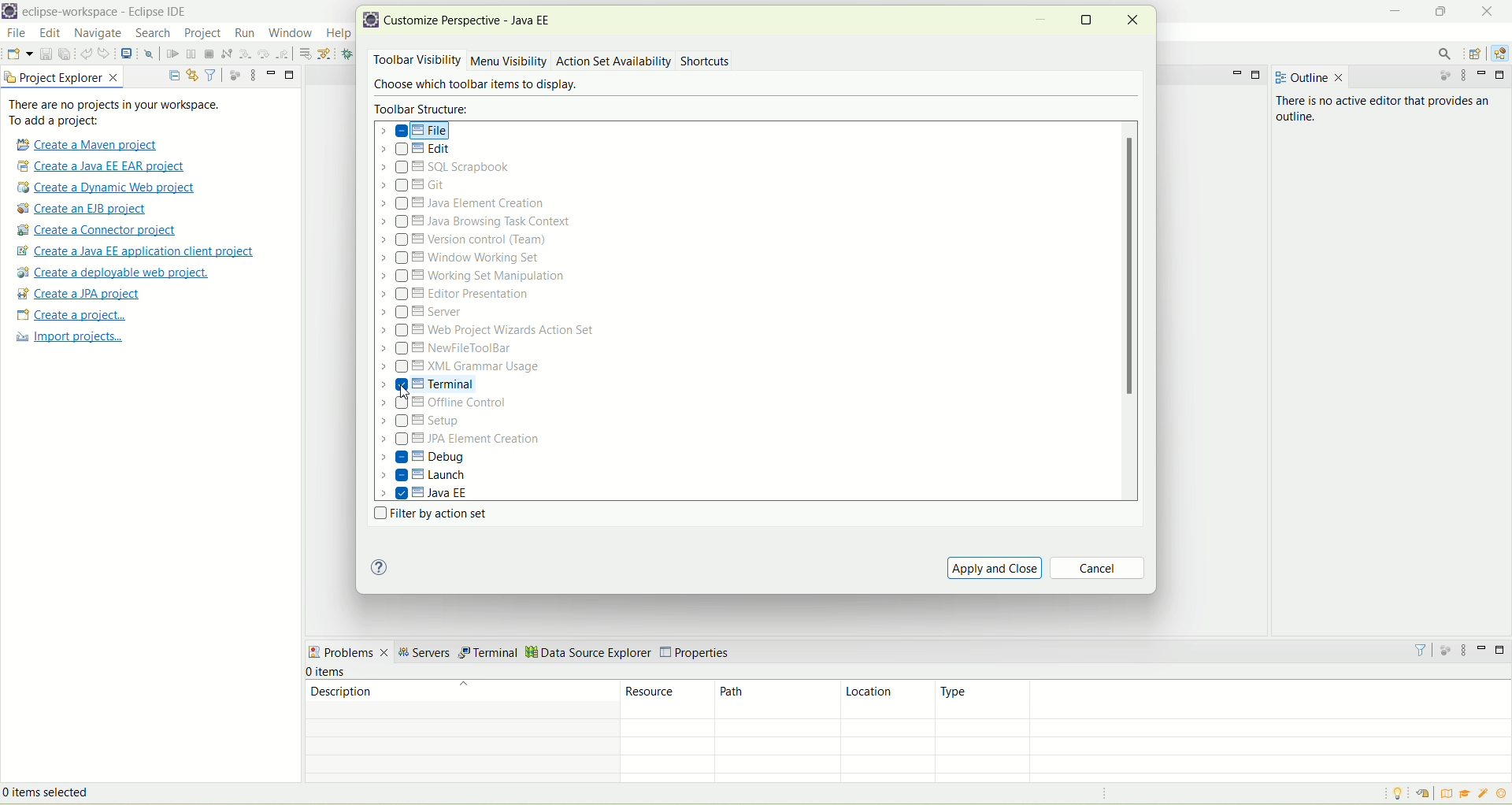  What do you see at coordinates (1225, 699) in the screenshot?
I see `type` at bounding box center [1225, 699].